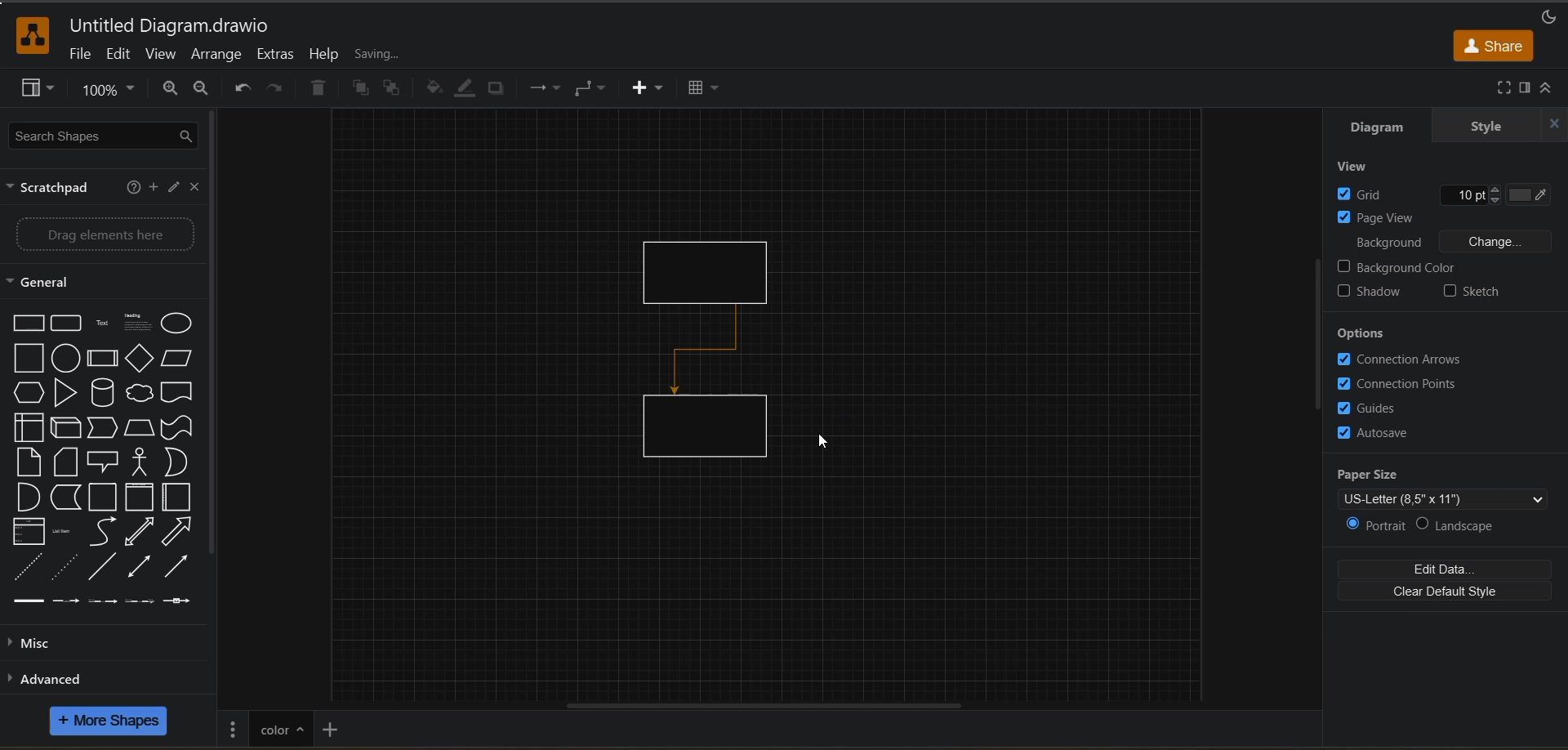 This screenshot has height=750, width=1568. Describe the element at coordinates (68, 603) in the screenshot. I see `Connector with label` at that location.